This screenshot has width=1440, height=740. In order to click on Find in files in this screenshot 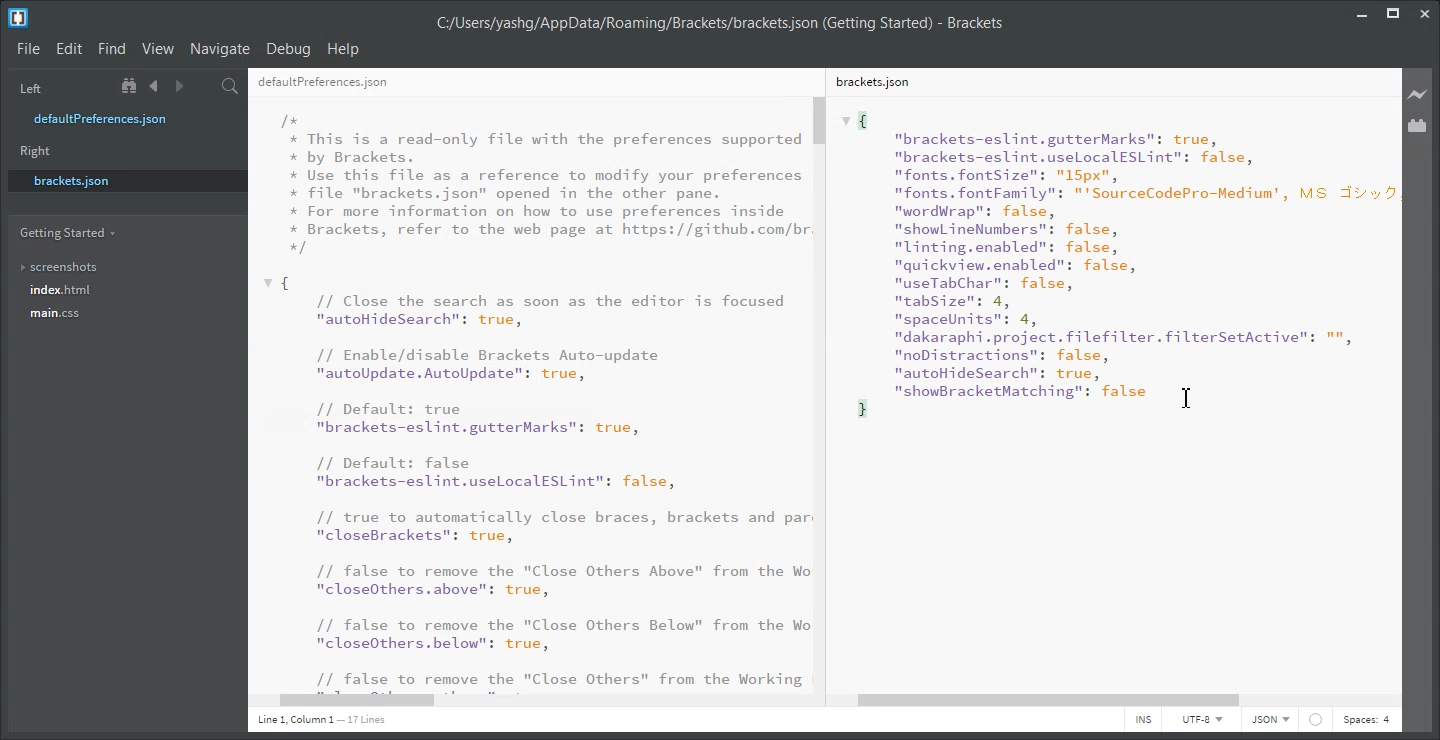, I will do `click(231, 86)`.